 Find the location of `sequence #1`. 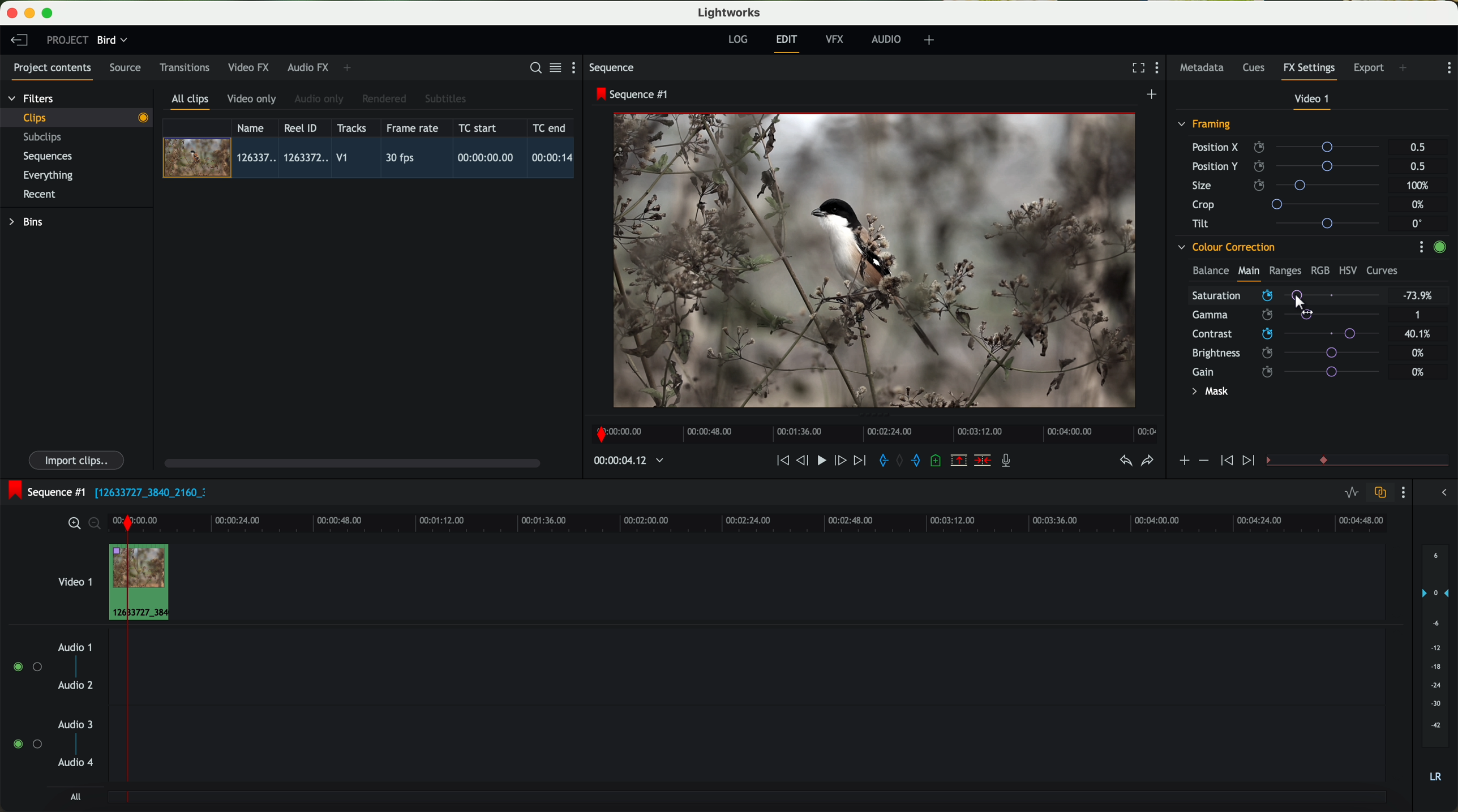

sequence #1 is located at coordinates (44, 492).